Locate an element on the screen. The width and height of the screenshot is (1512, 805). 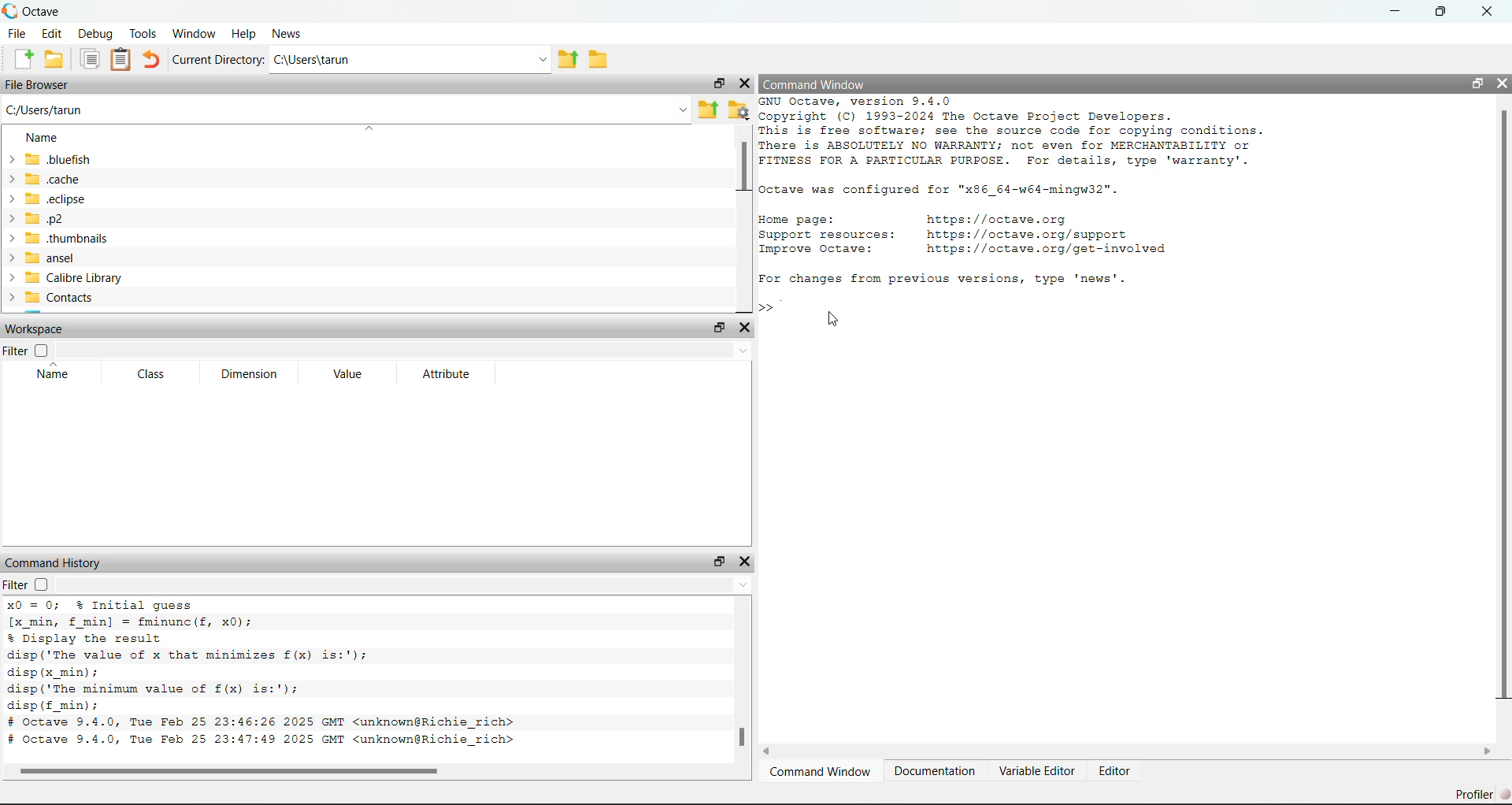
bluefish is located at coordinates (52, 160).